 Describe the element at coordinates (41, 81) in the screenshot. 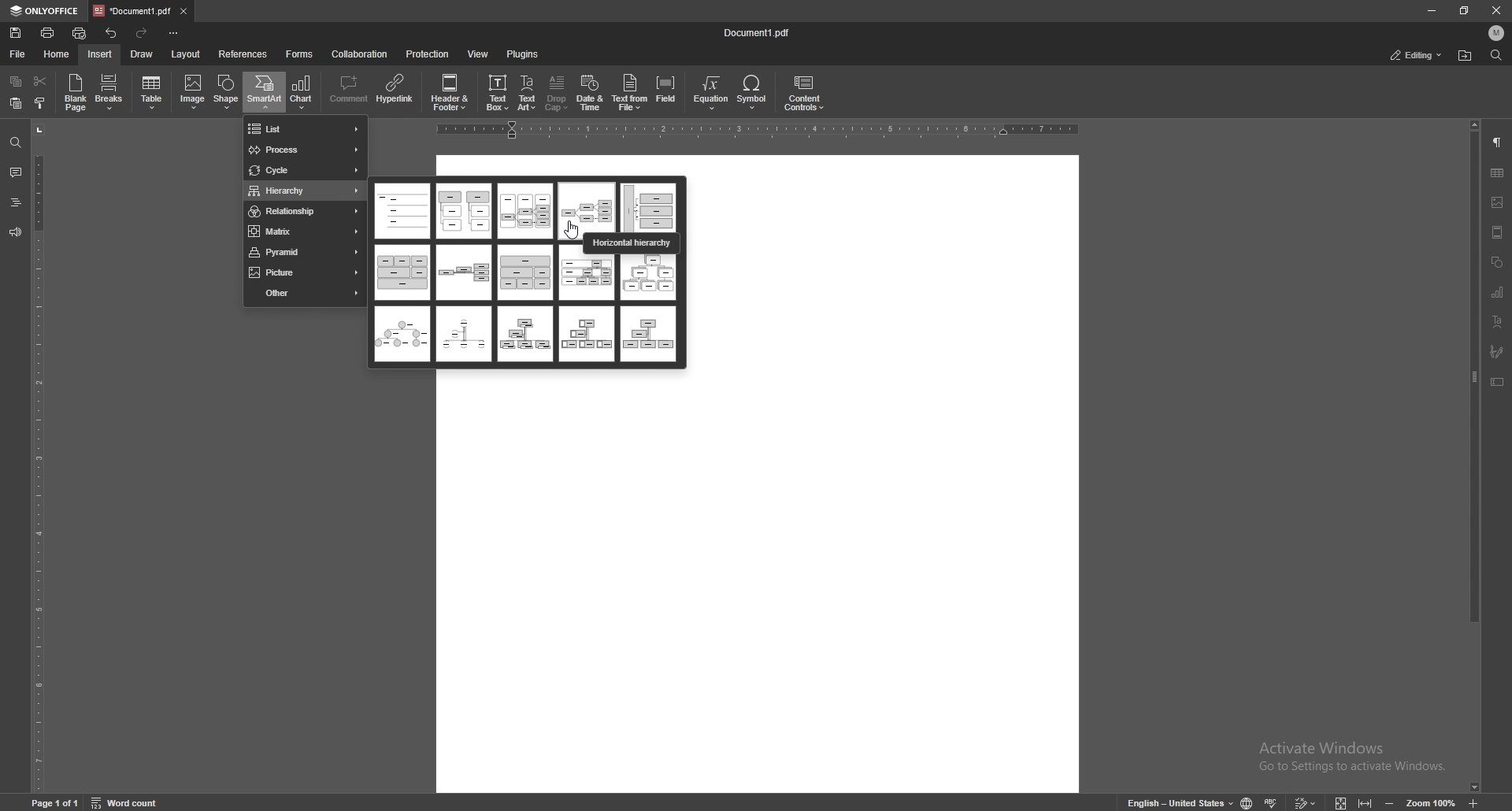

I see `cut` at that location.